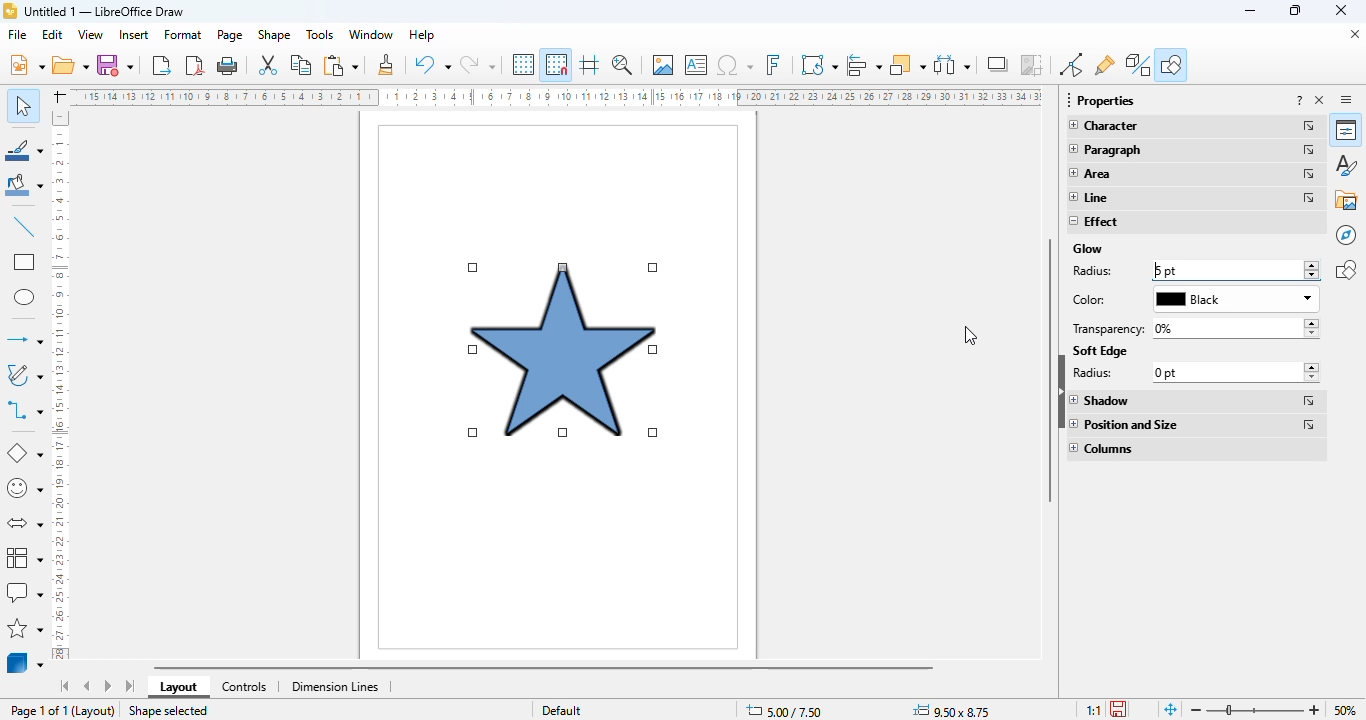  What do you see at coordinates (971, 336) in the screenshot?
I see `cursor` at bounding box center [971, 336].